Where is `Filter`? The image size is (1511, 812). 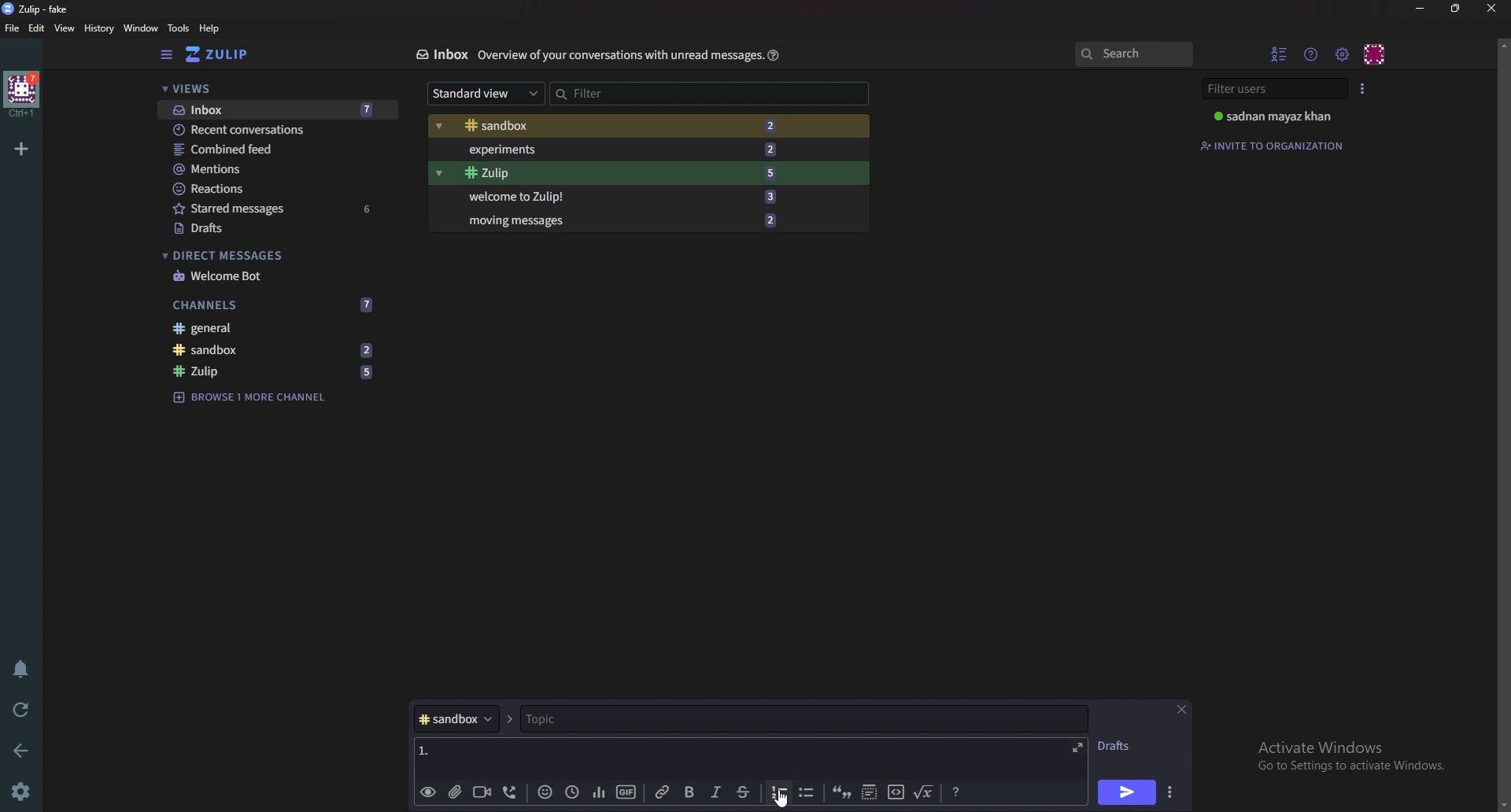
Filter is located at coordinates (621, 91).